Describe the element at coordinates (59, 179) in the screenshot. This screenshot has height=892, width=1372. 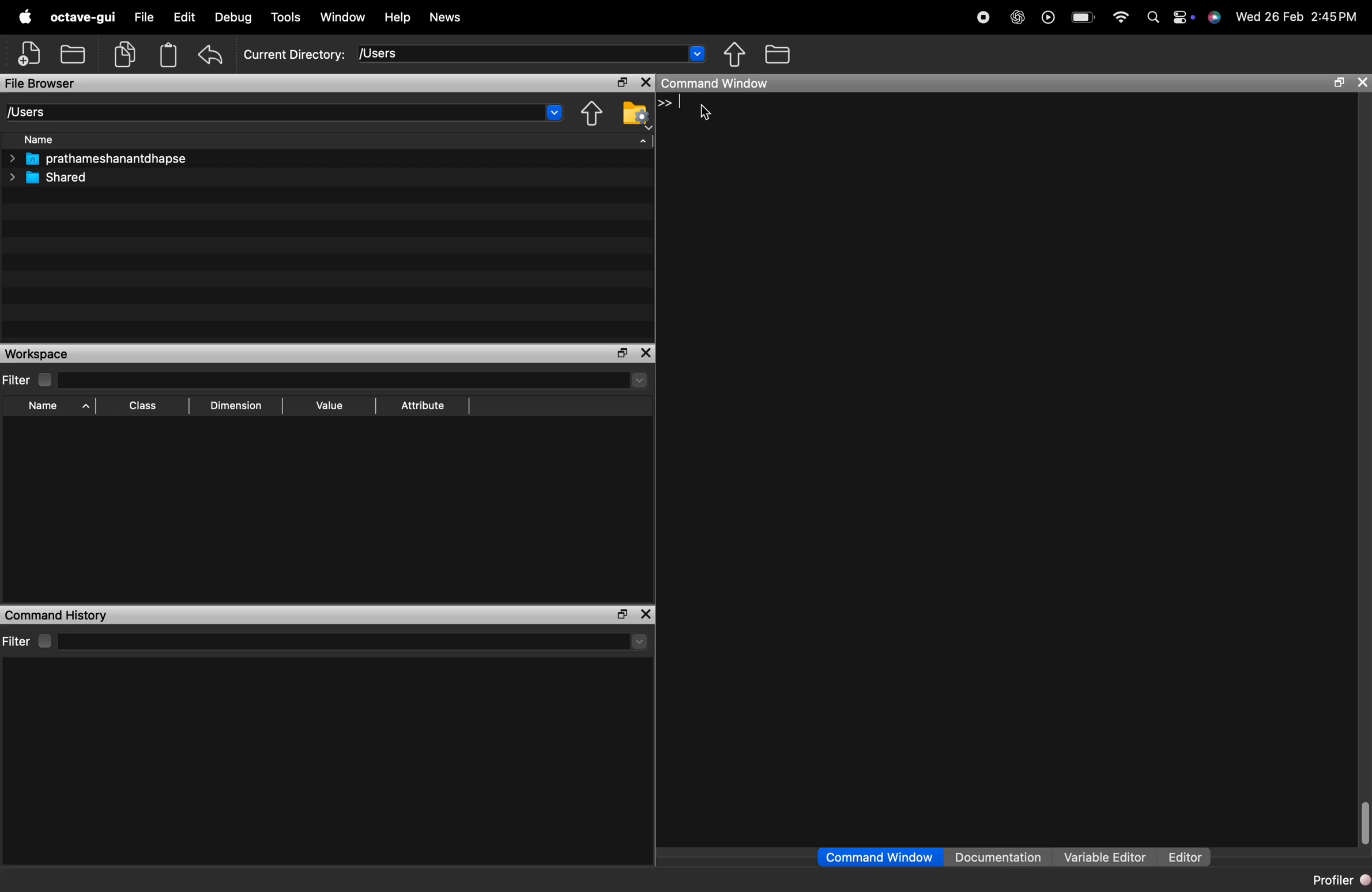
I see `Shared` at that location.